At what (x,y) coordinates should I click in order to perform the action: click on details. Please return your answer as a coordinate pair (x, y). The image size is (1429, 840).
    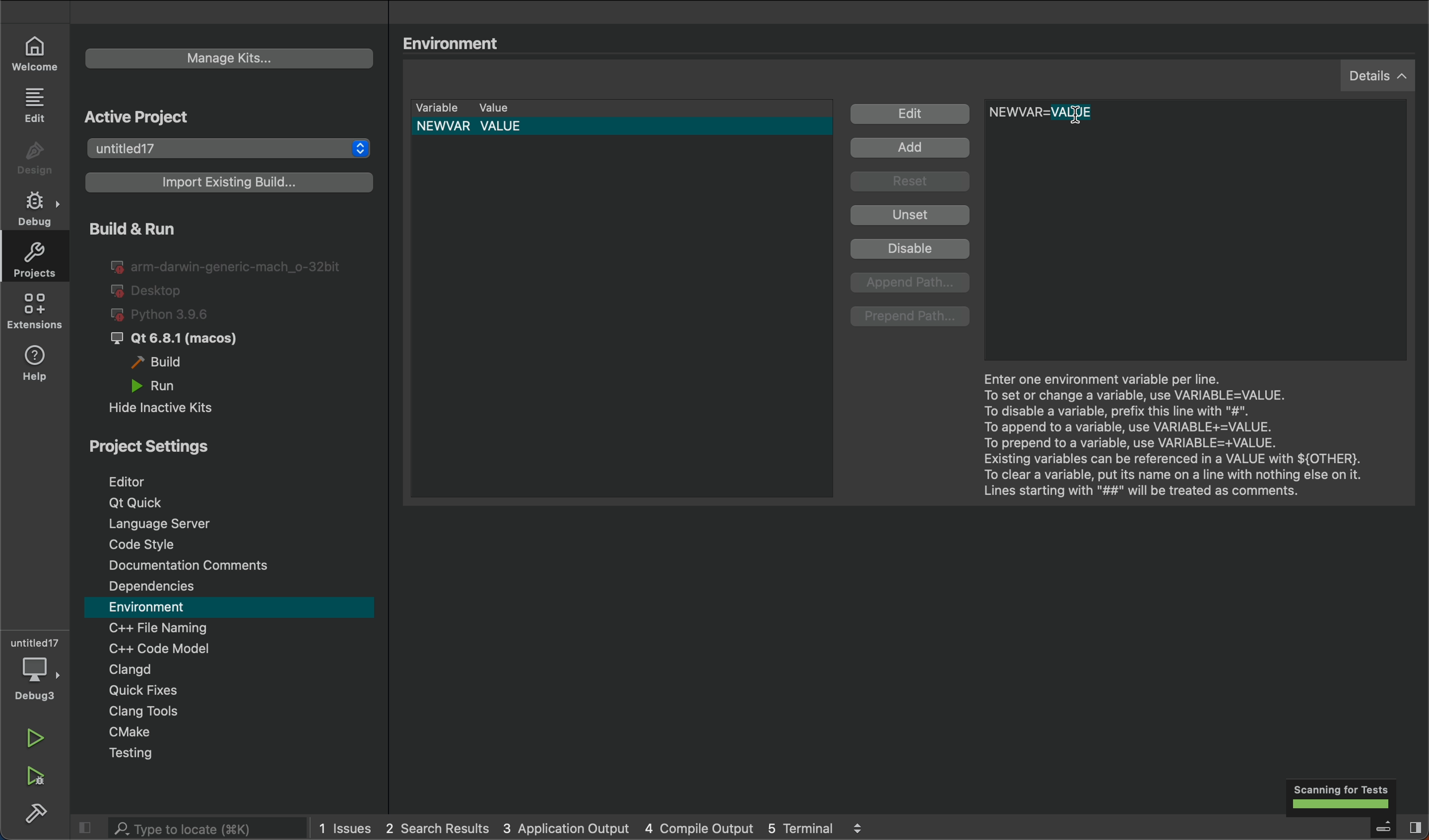
    Looking at the image, I should click on (1382, 75).